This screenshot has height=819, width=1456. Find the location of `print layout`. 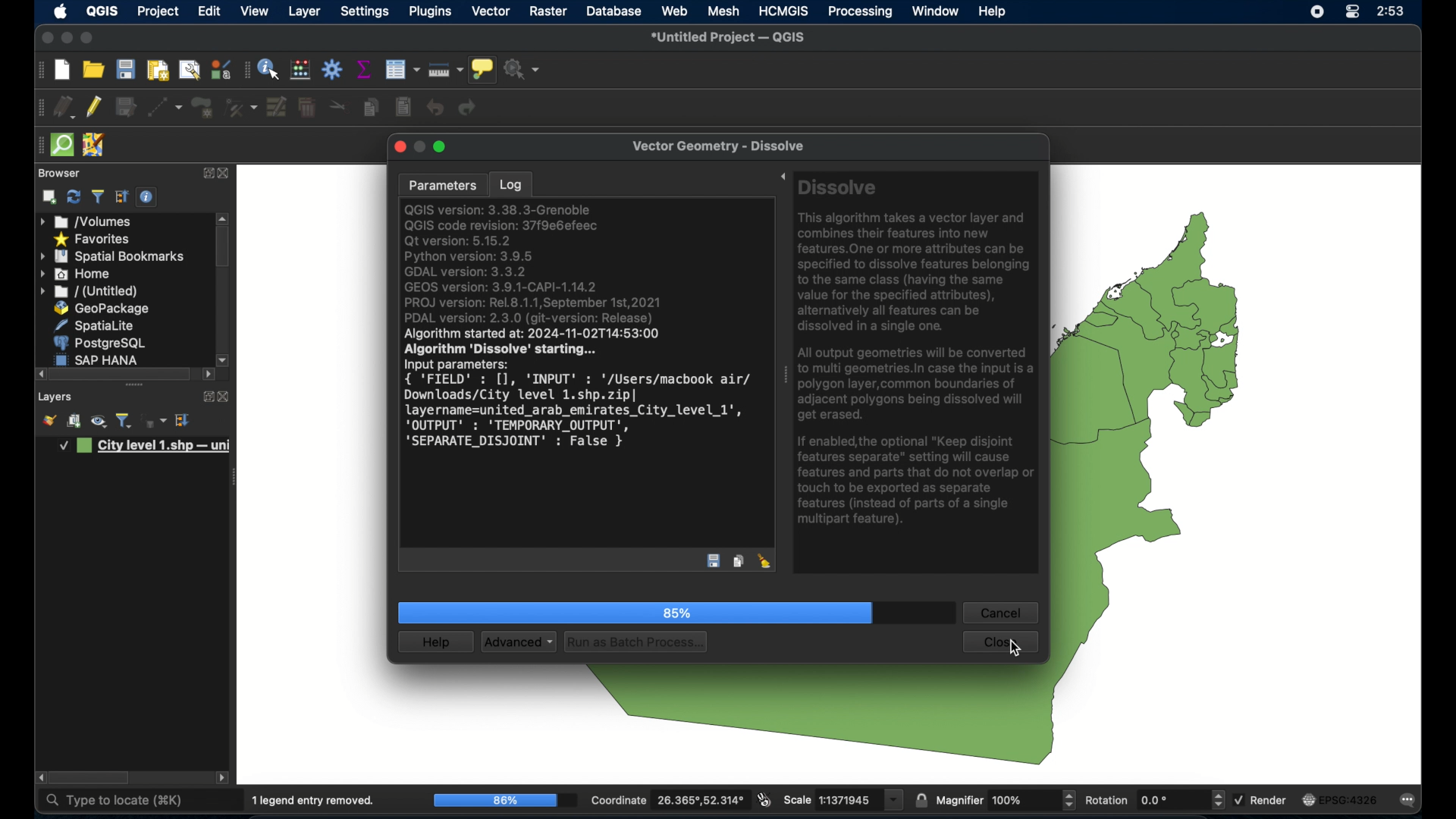

print layout is located at coordinates (156, 71).